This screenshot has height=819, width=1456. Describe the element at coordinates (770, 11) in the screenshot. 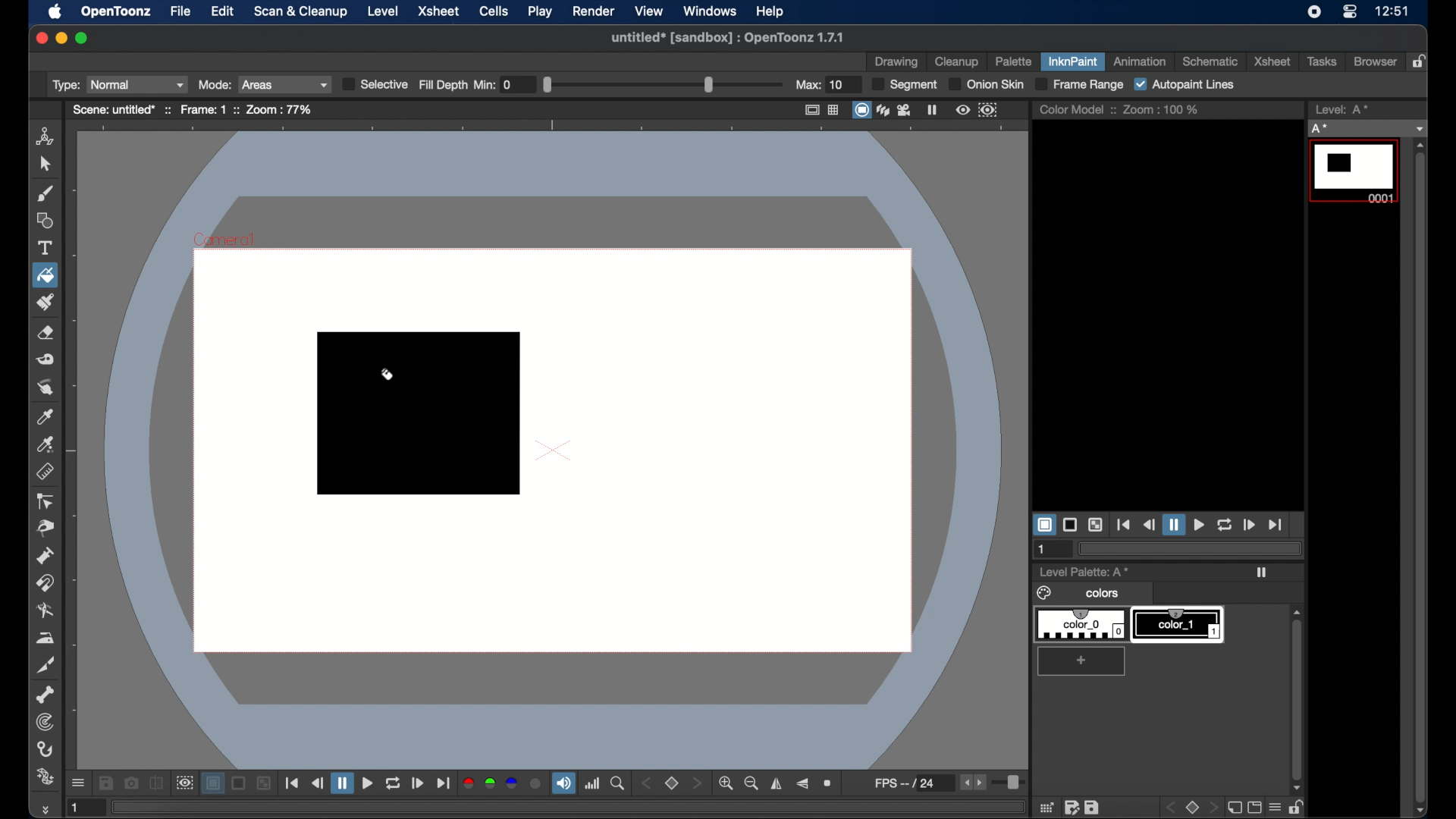

I see `help` at that location.